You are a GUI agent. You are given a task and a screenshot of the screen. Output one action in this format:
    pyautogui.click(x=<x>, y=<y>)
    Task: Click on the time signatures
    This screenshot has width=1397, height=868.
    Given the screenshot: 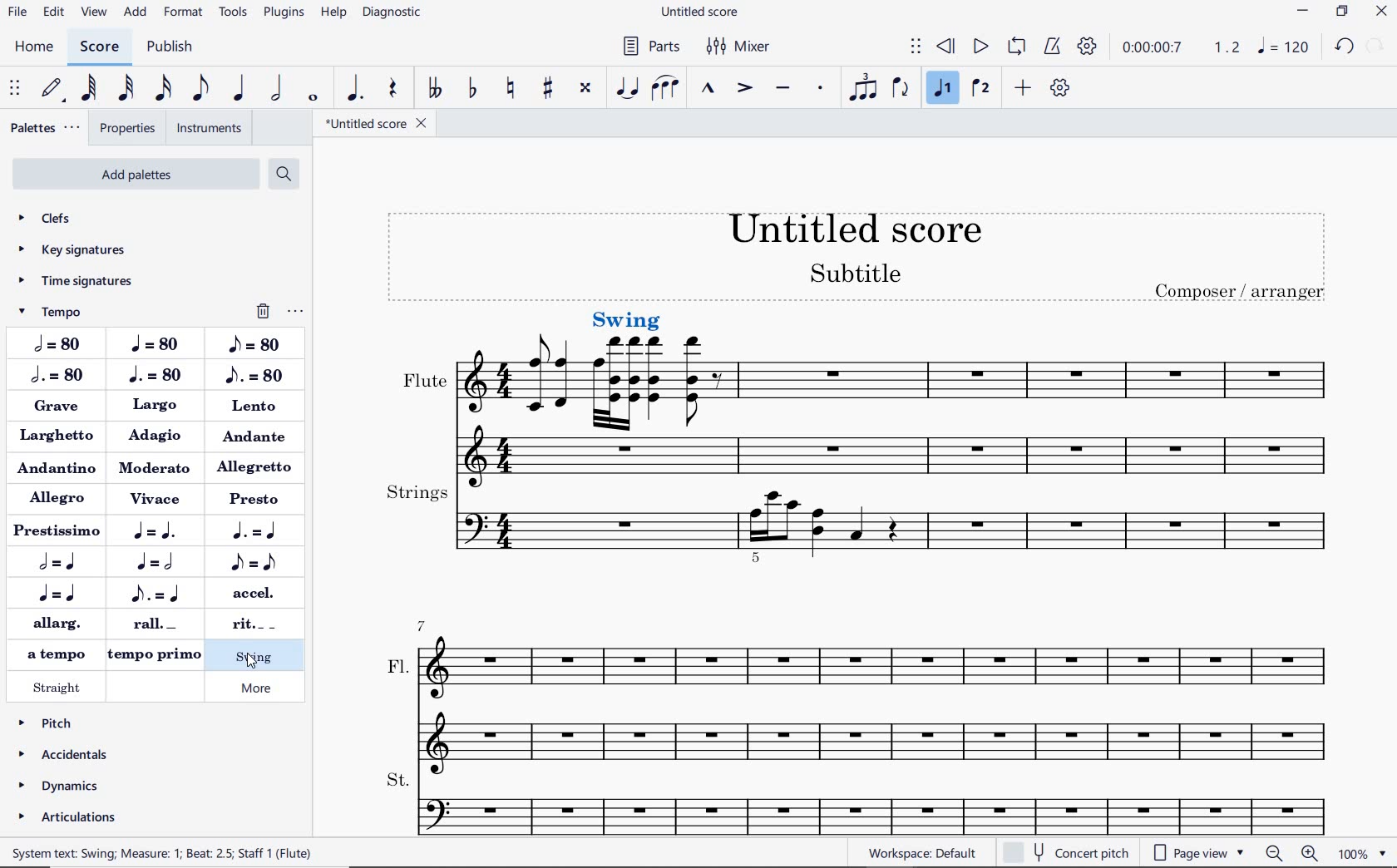 What is the action you would take?
    pyautogui.click(x=81, y=279)
    